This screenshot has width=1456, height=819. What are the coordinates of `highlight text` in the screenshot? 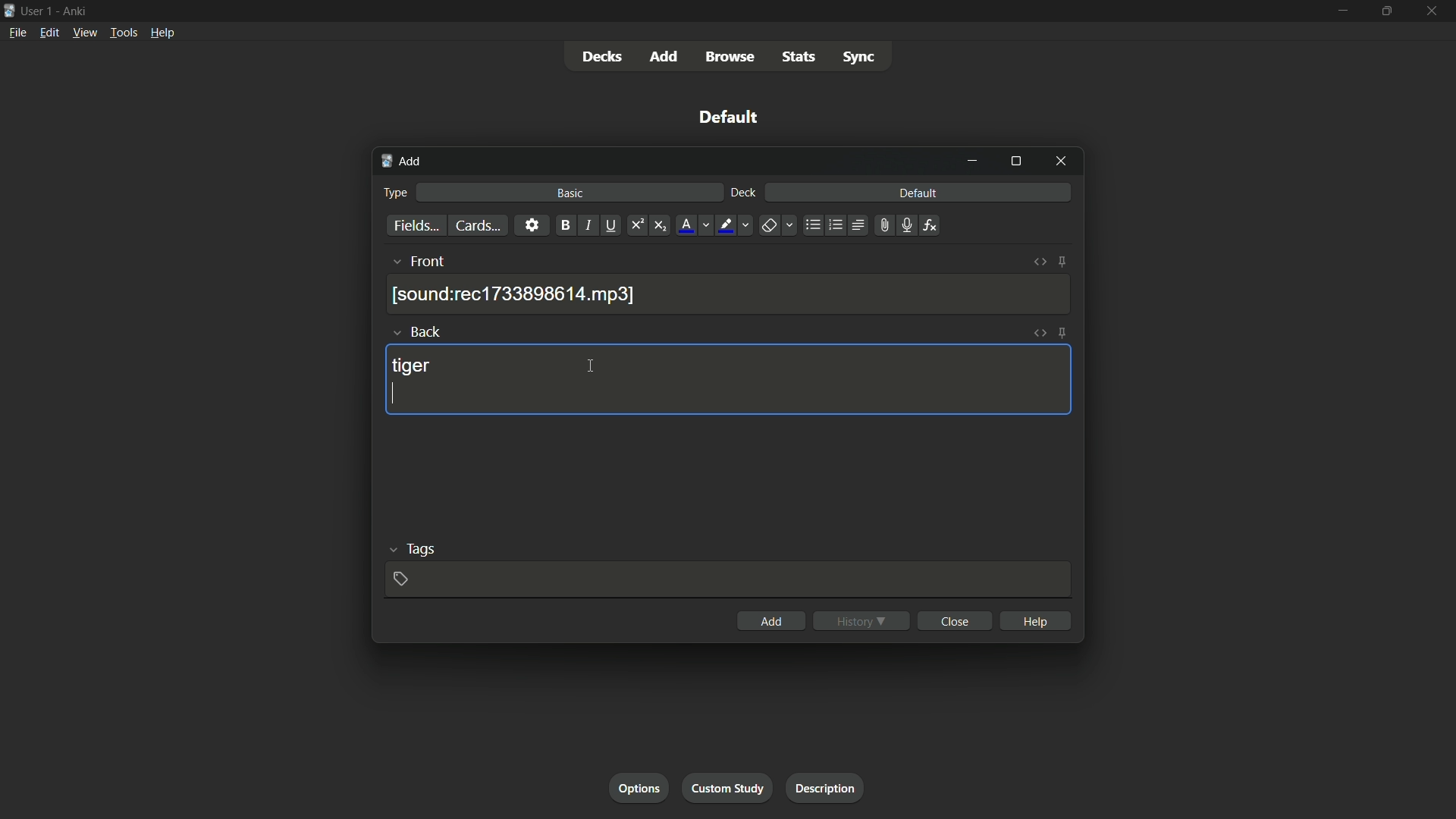 It's located at (725, 225).